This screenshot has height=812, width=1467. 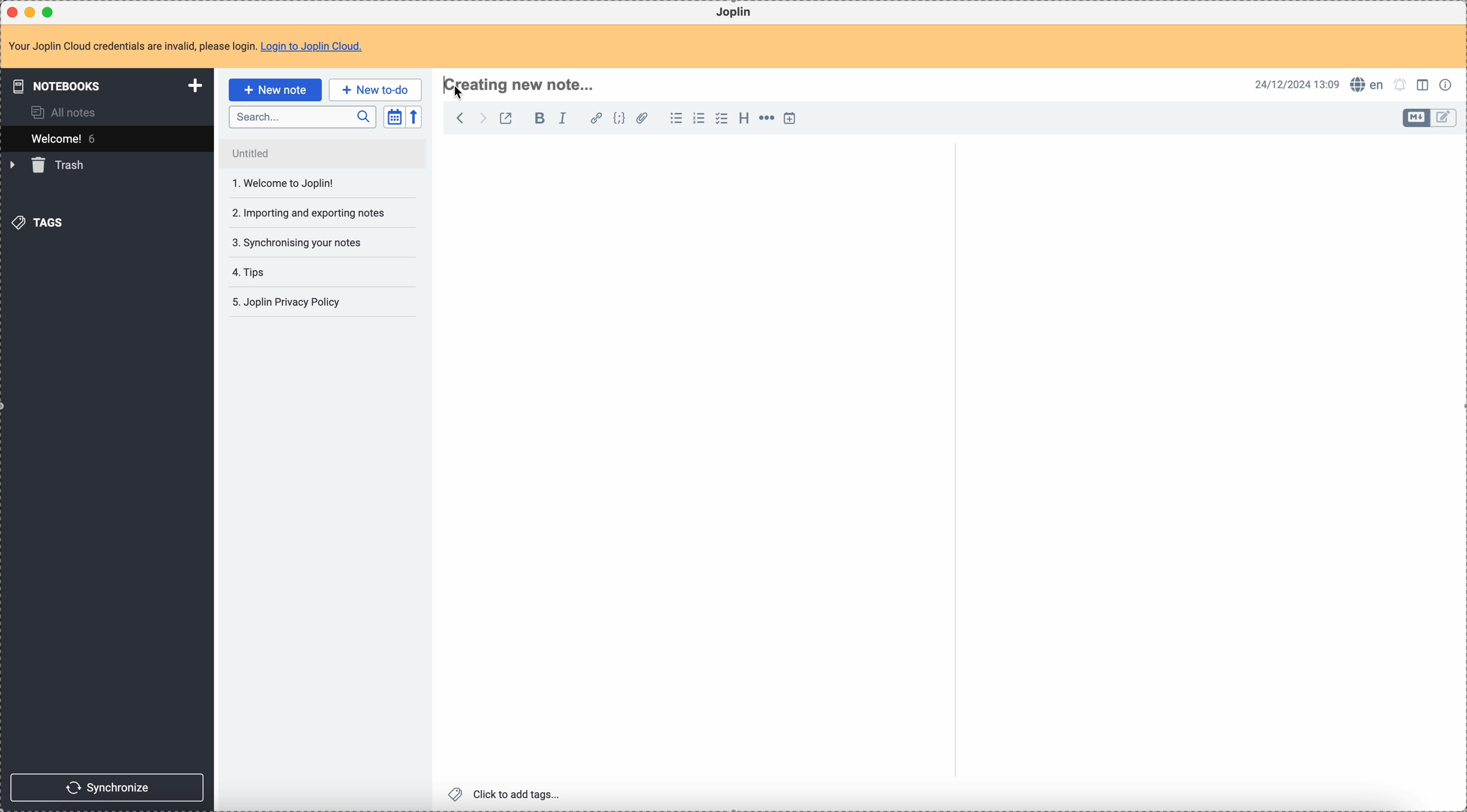 I want to click on toggle edit layout, so click(x=1444, y=118).